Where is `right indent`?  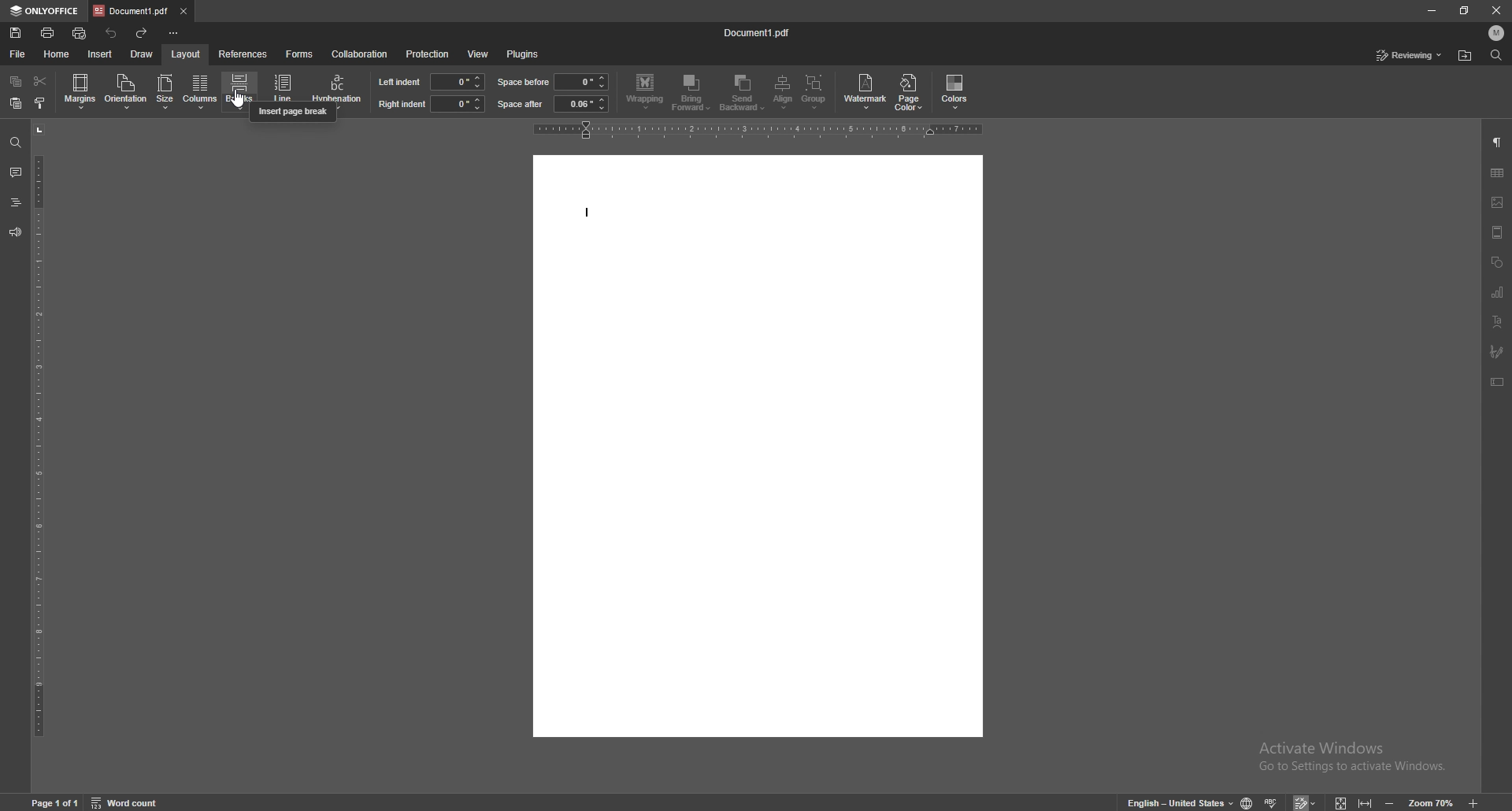 right indent is located at coordinates (402, 104).